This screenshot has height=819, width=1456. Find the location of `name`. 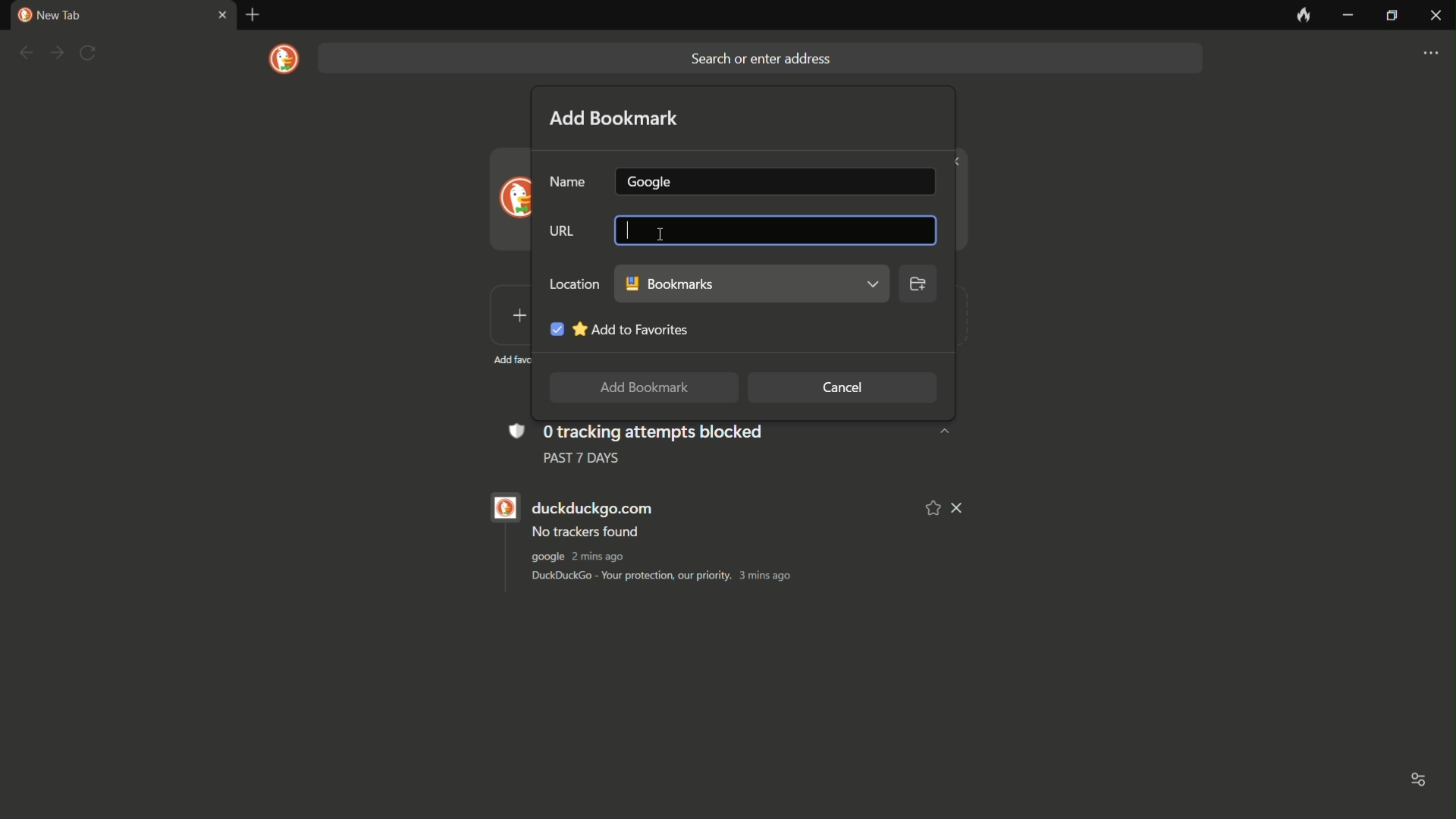

name is located at coordinates (568, 183).